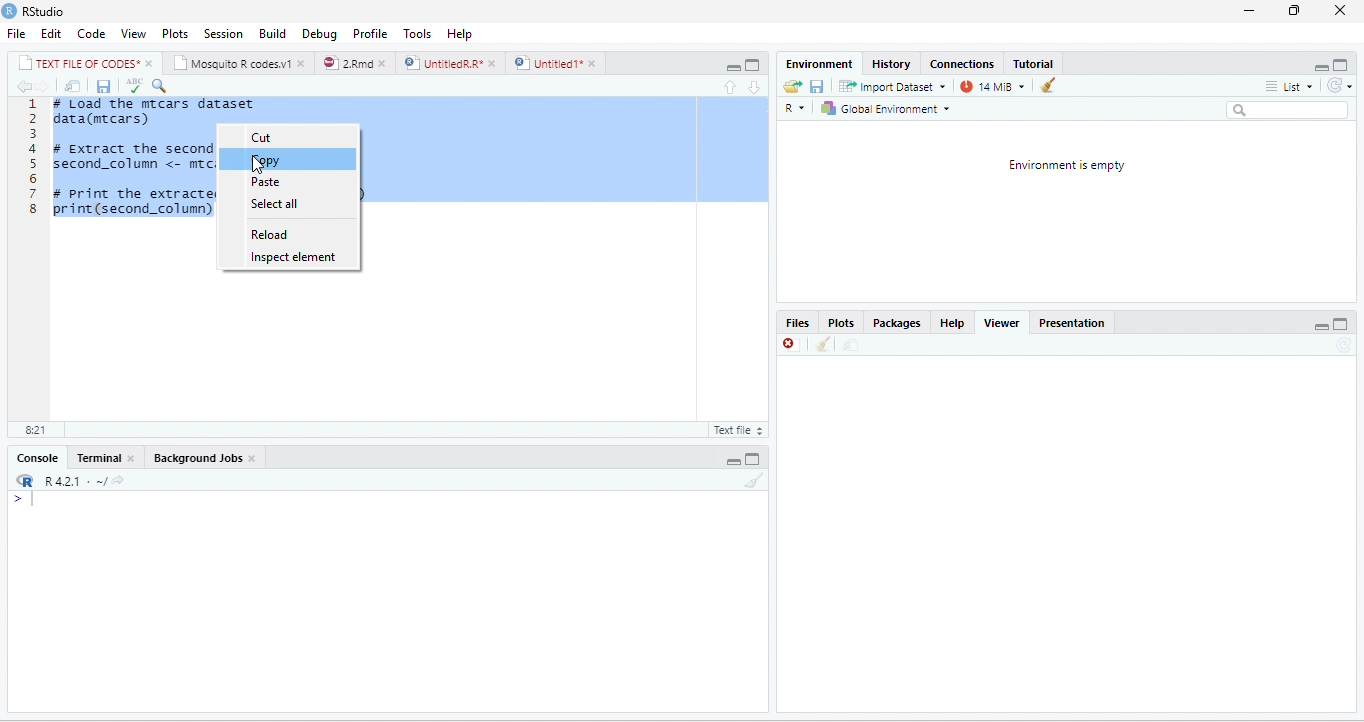  What do you see at coordinates (384, 62) in the screenshot?
I see `close` at bounding box center [384, 62].